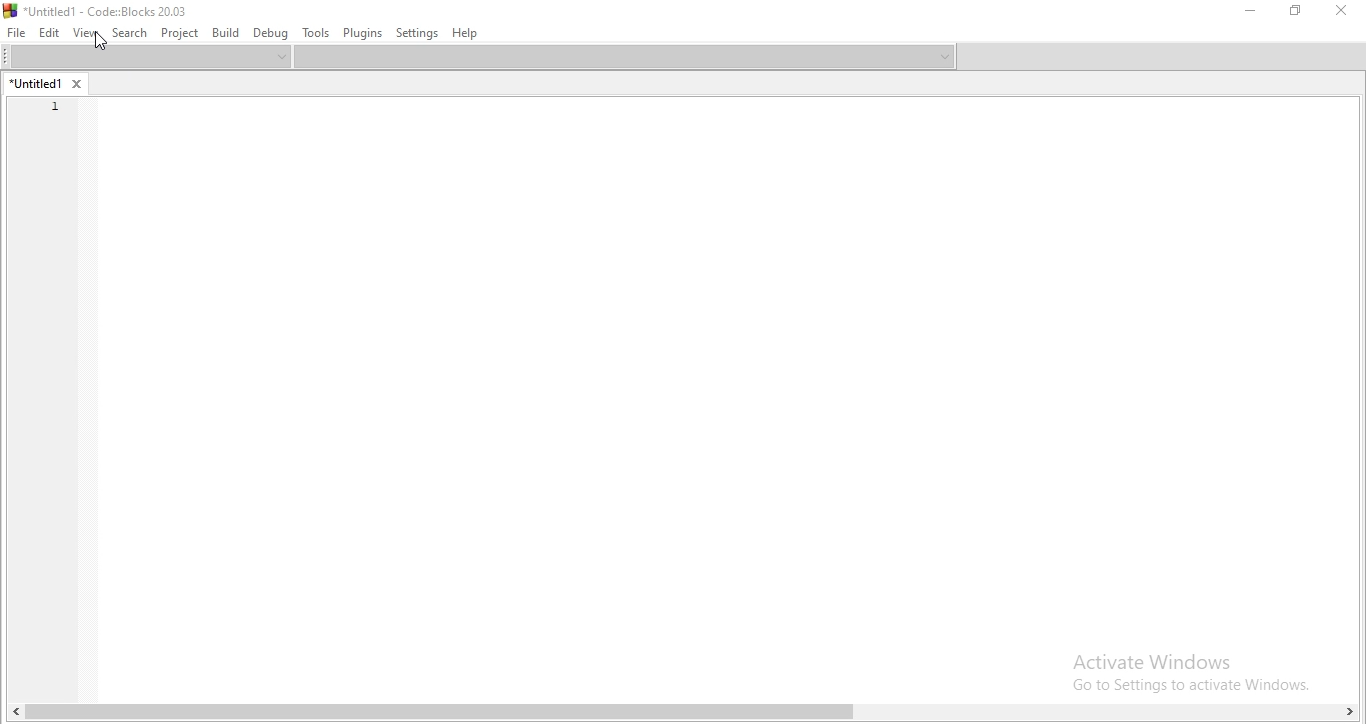  Describe the element at coordinates (1297, 12) in the screenshot. I see `Restore` at that location.